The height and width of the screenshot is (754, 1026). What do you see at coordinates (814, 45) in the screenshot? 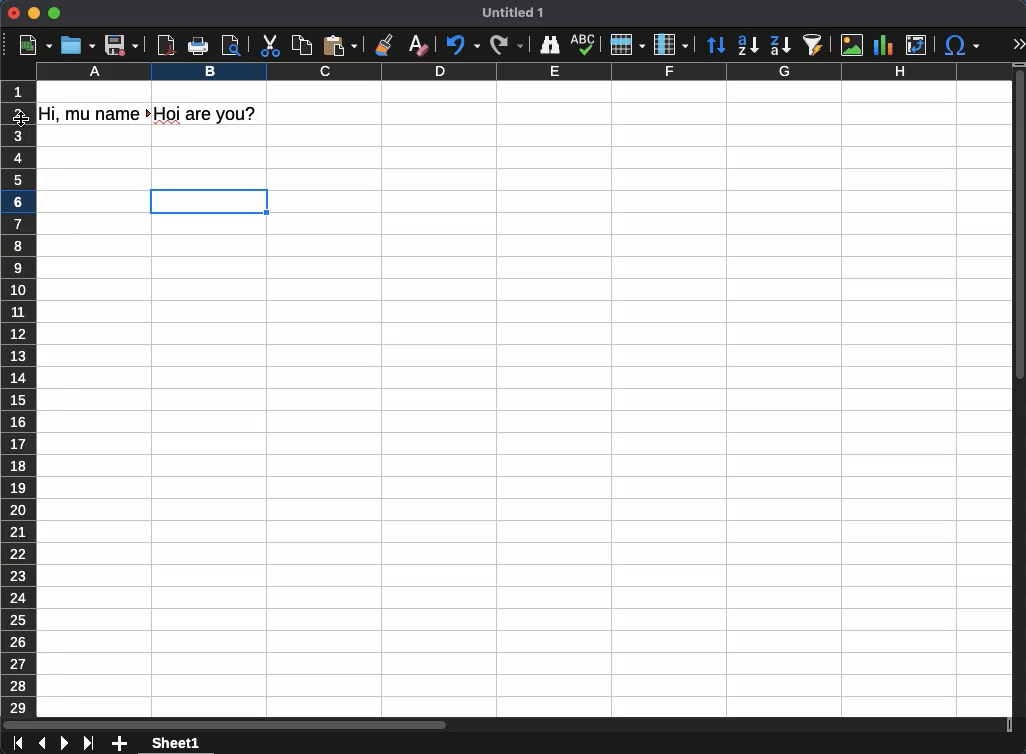
I see `sort` at bounding box center [814, 45].